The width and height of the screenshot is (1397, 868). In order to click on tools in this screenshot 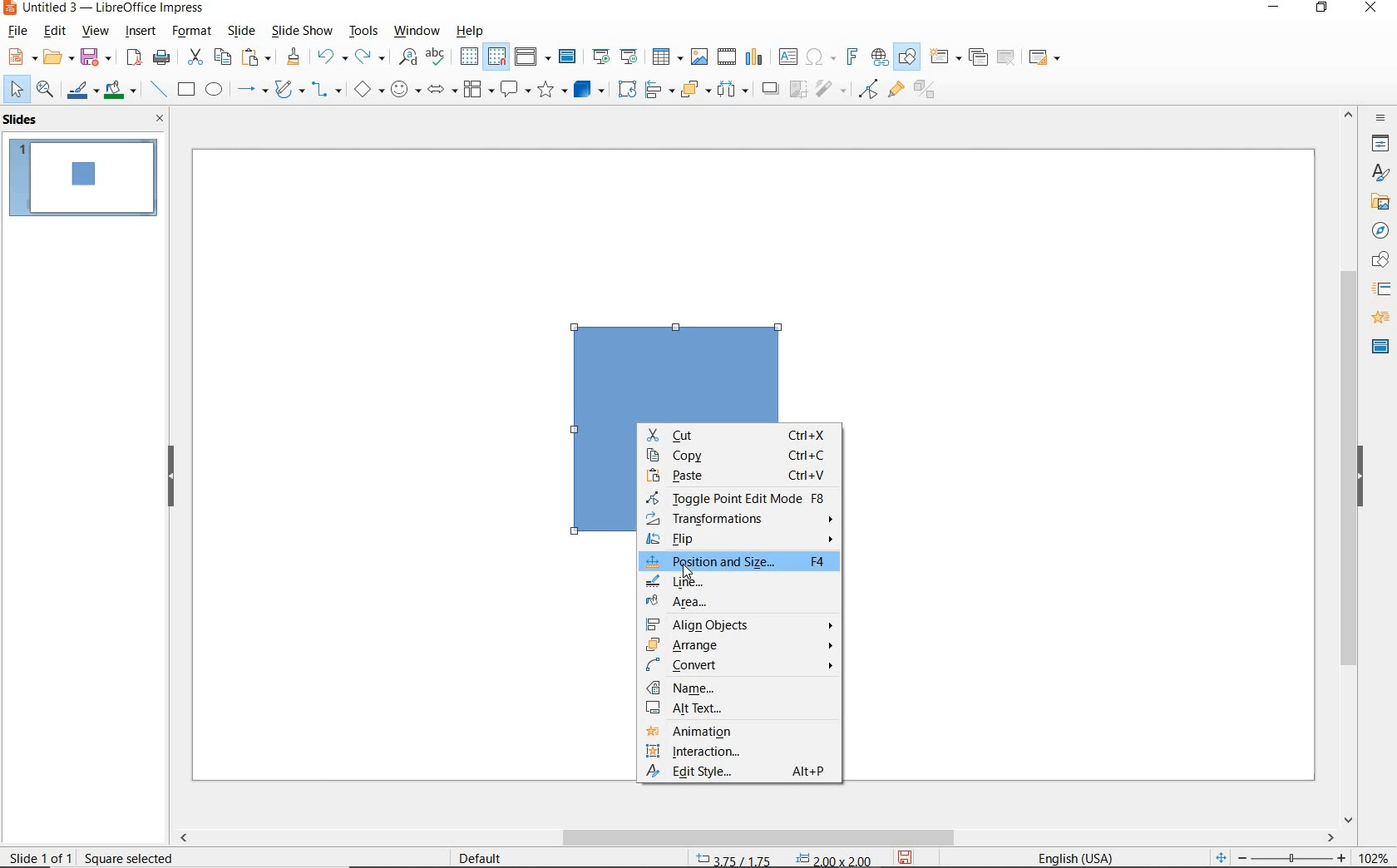, I will do `click(365, 32)`.